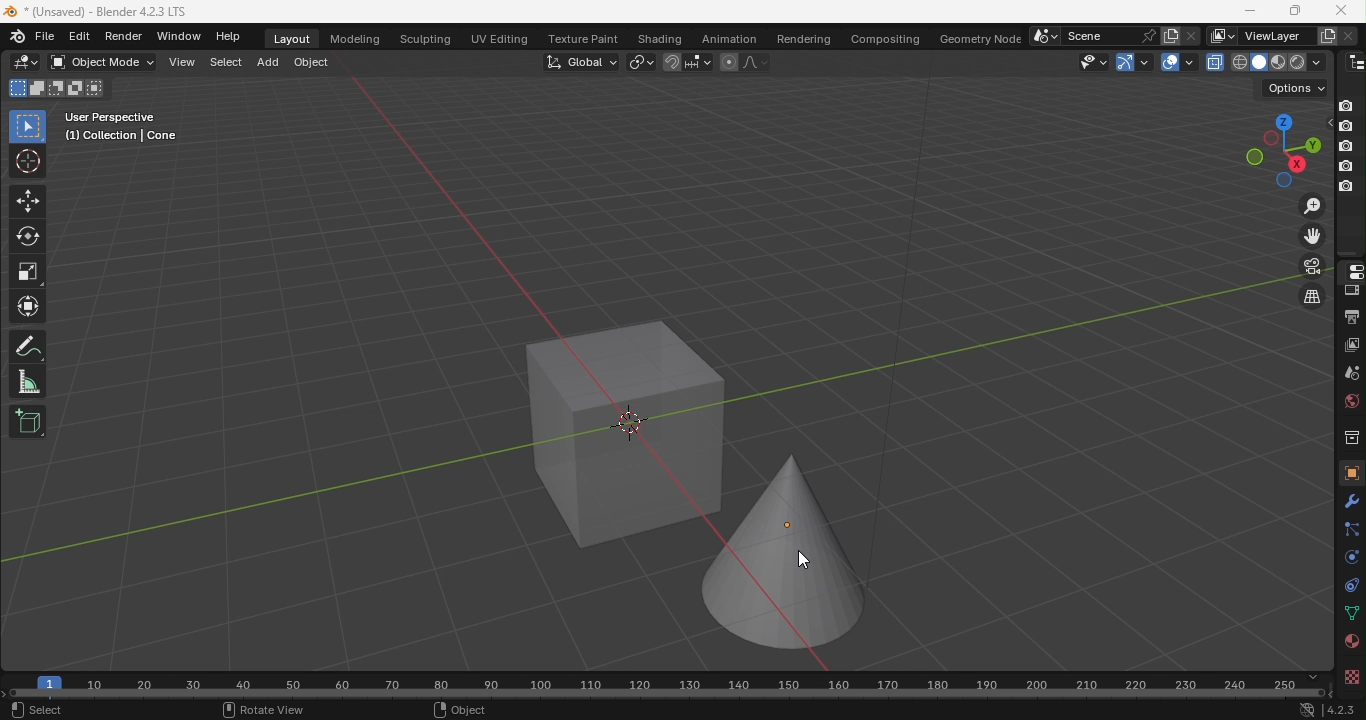 This screenshot has height=720, width=1366. I want to click on View layer, so click(1353, 344).